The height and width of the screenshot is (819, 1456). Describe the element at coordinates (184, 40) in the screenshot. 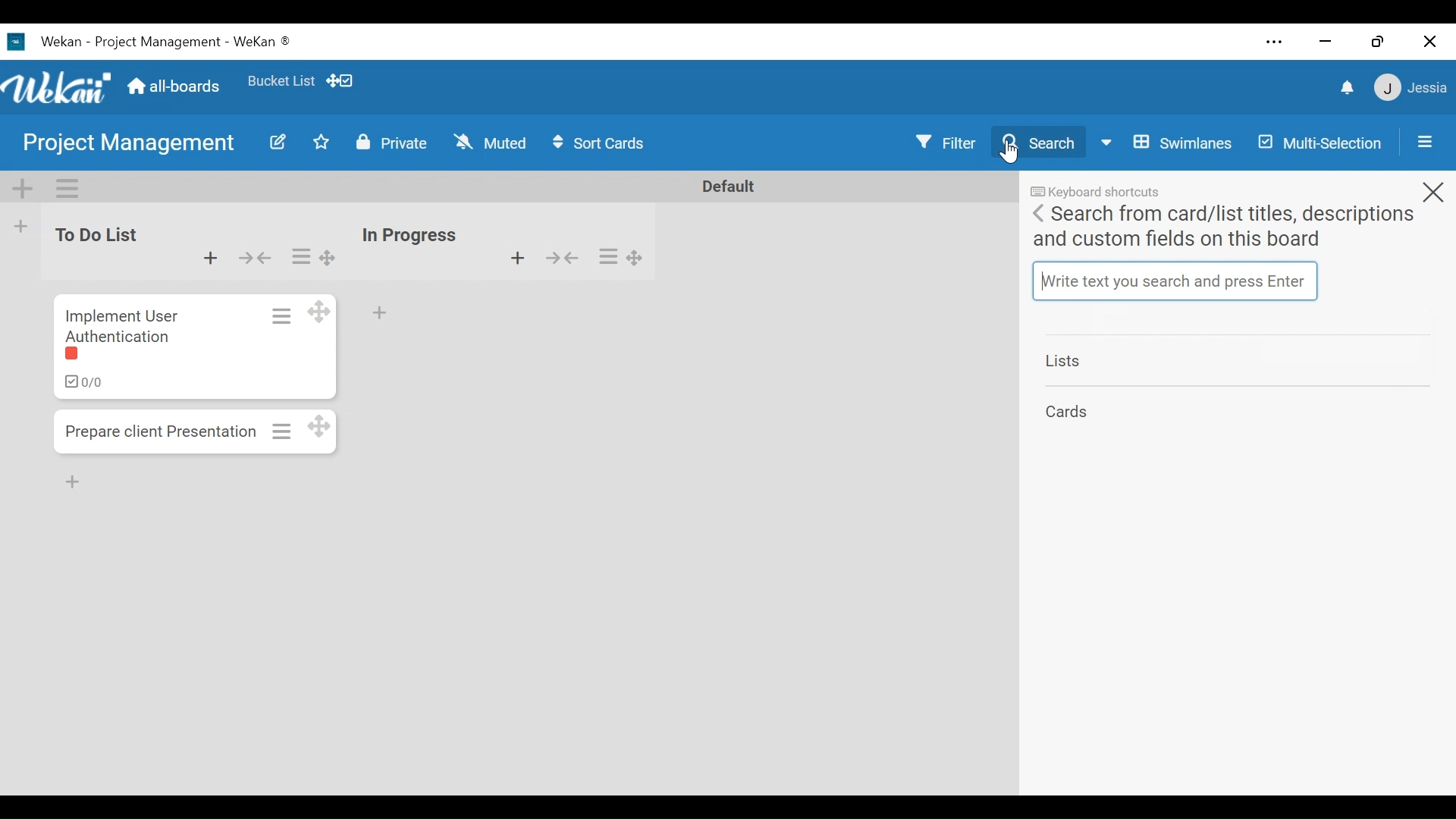

I see `wekan -project management- wekan` at that location.